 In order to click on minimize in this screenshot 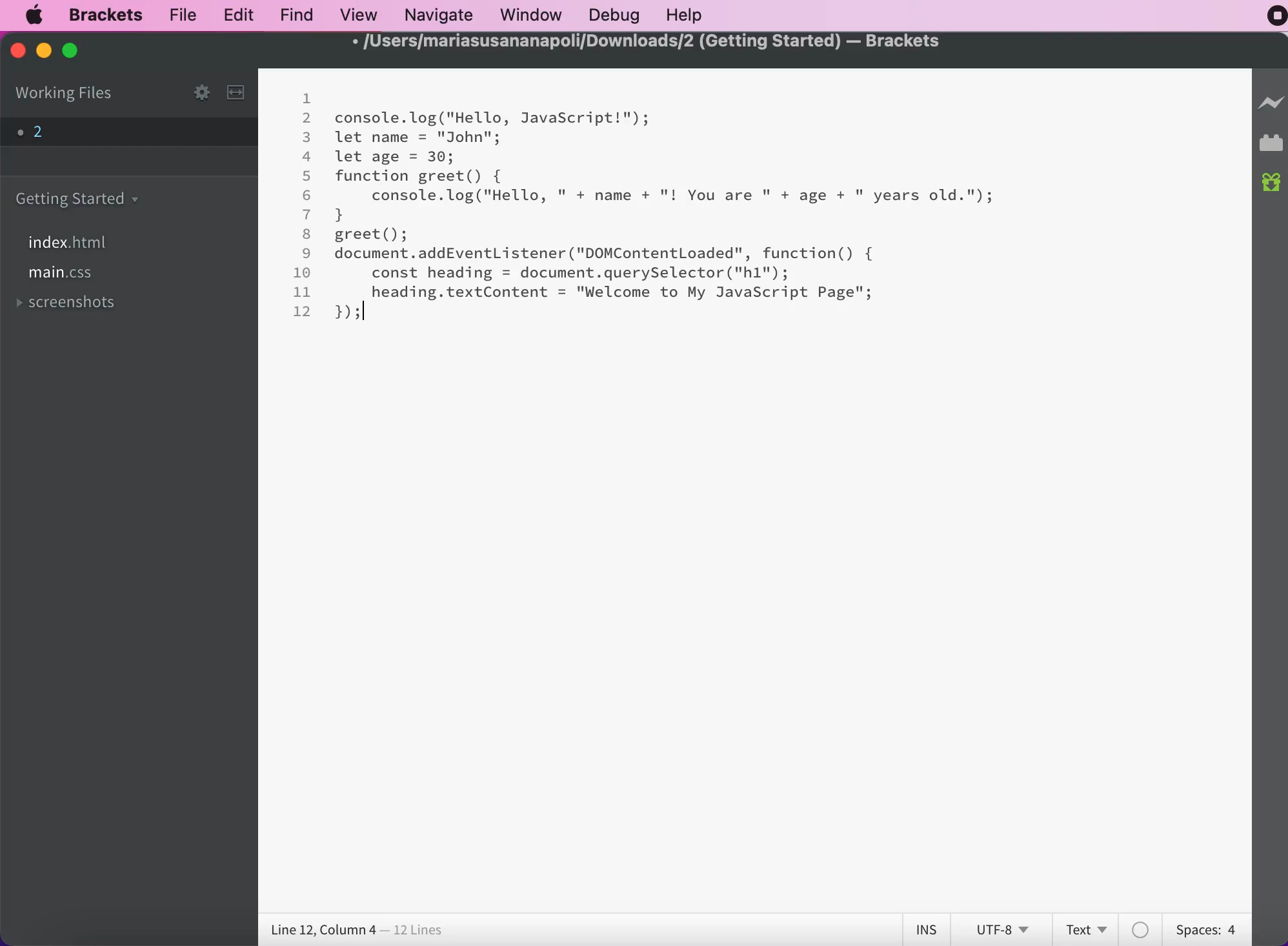, I will do `click(43, 51)`.